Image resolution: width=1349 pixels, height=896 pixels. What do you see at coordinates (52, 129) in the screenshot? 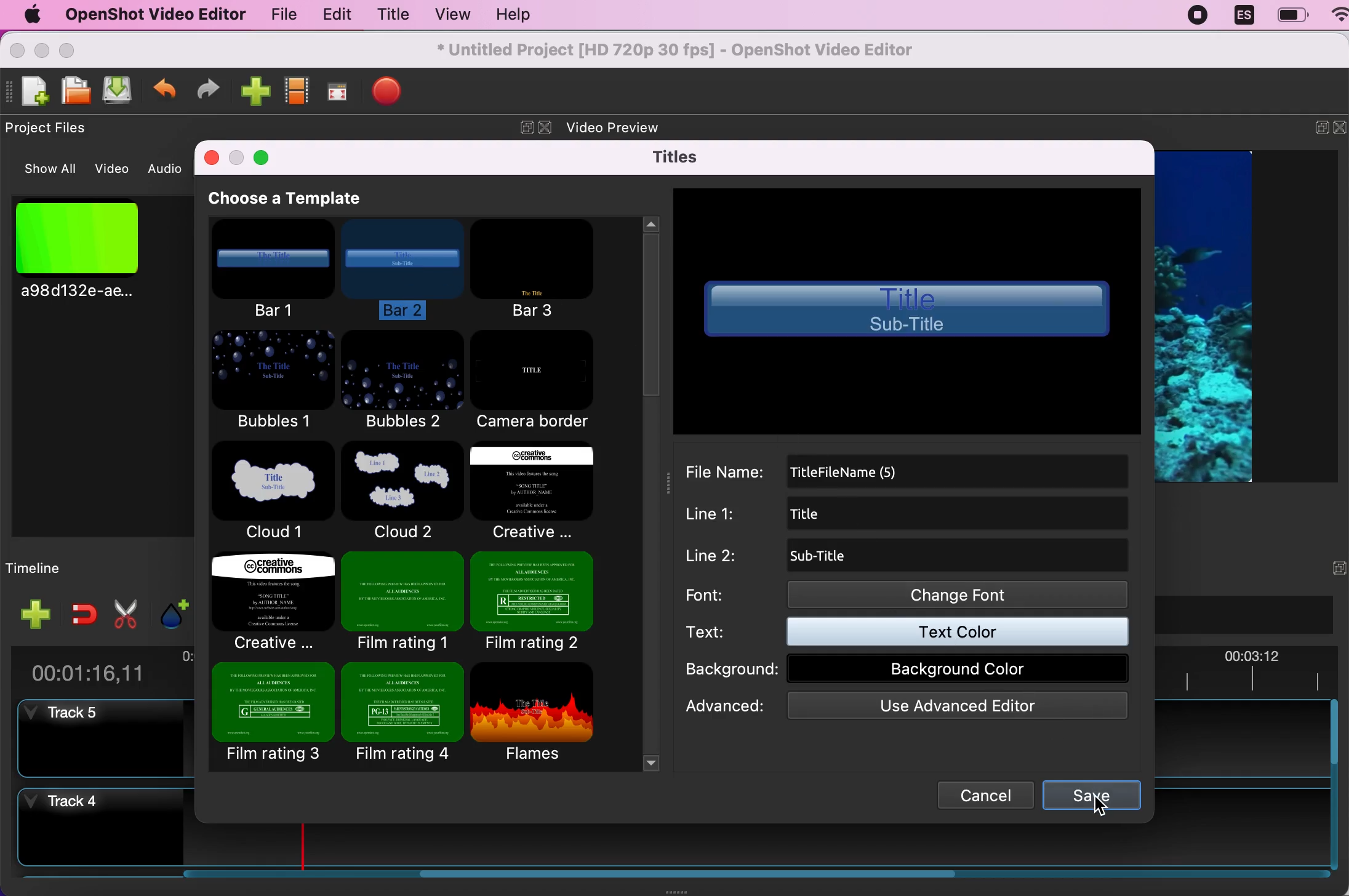
I see `project files` at bounding box center [52, 129].